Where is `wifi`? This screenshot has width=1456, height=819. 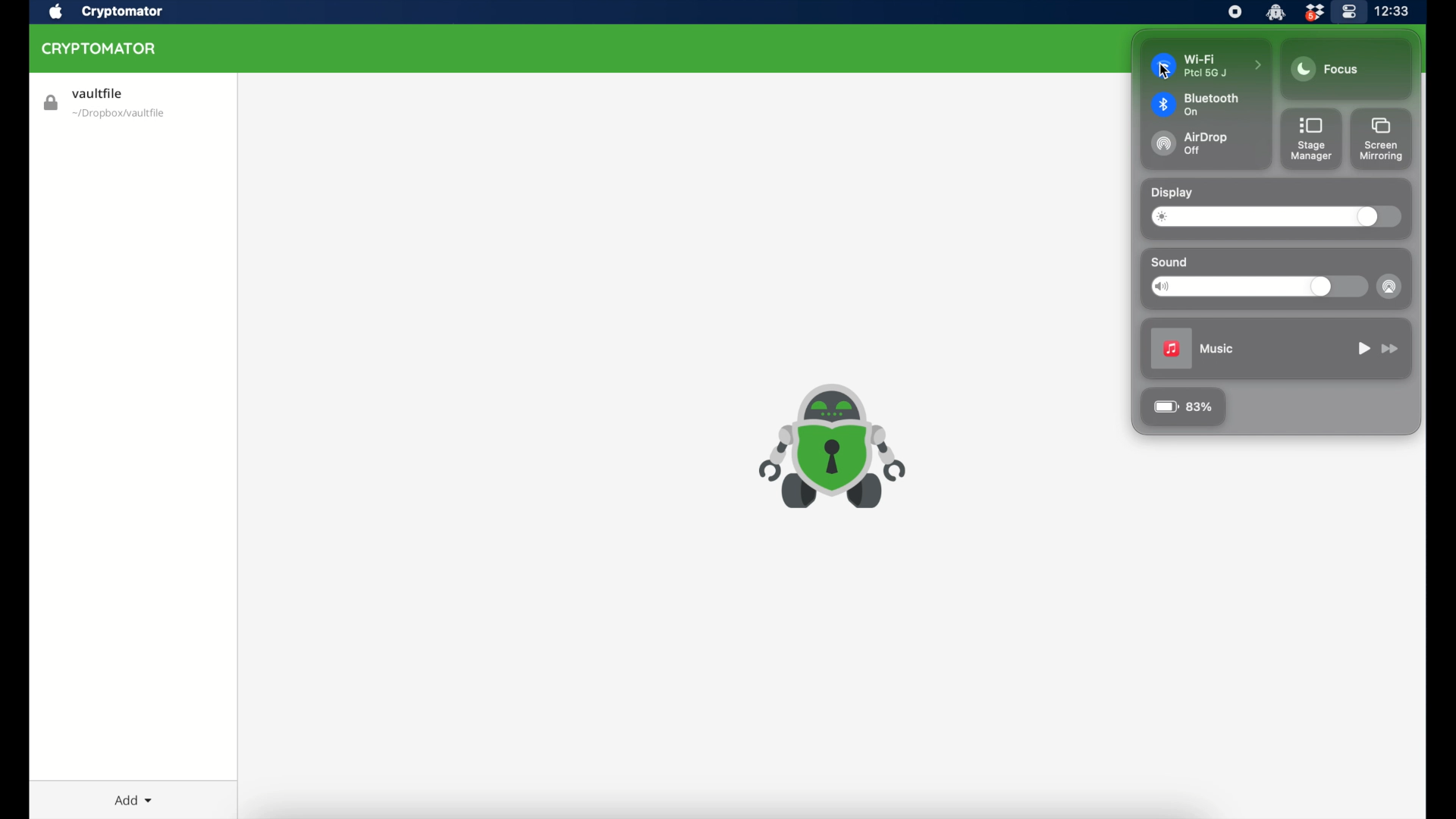 wifi is located at coordinates (1207, 65).